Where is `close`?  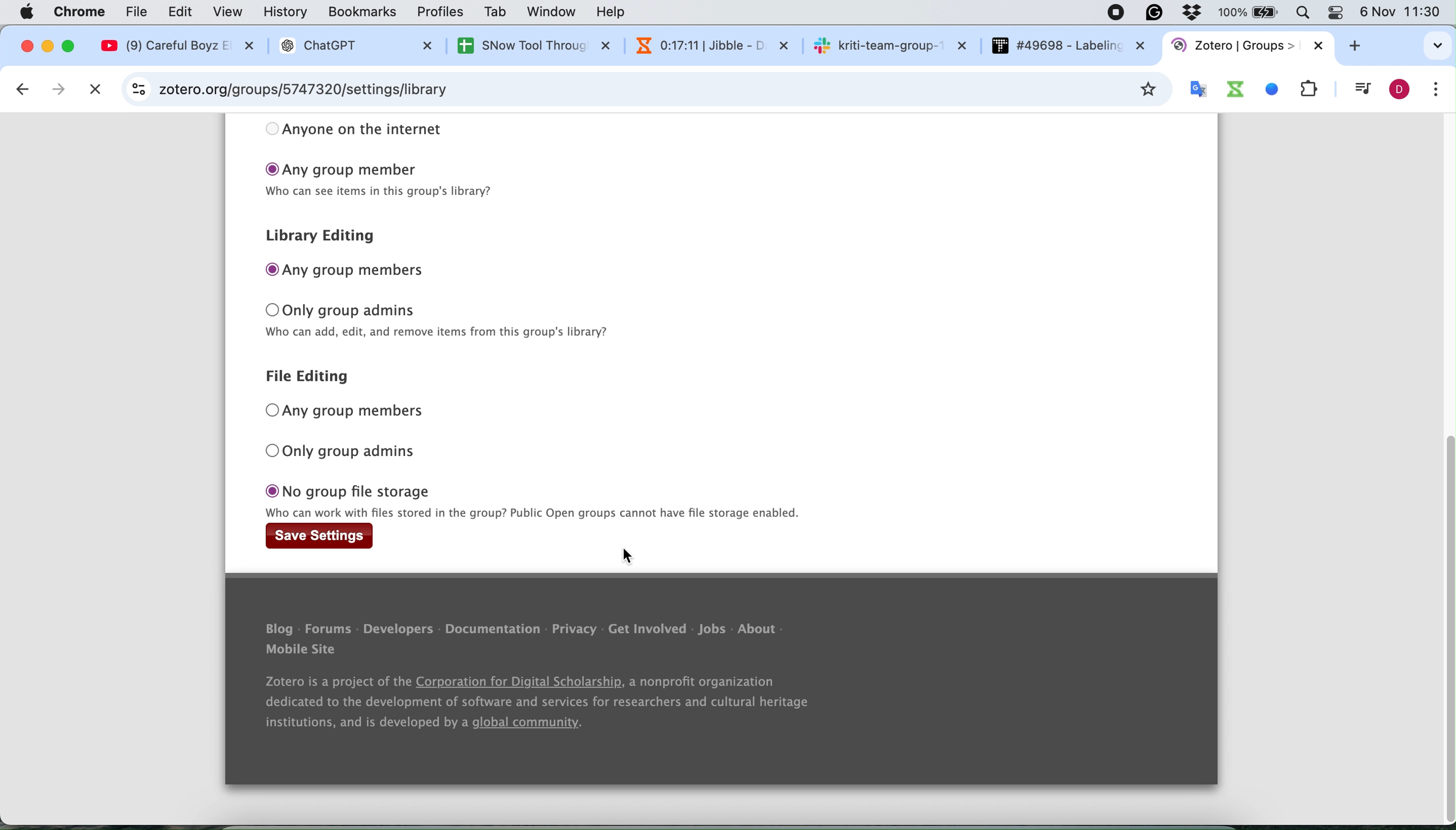 close is located at coordinates (25, 46).